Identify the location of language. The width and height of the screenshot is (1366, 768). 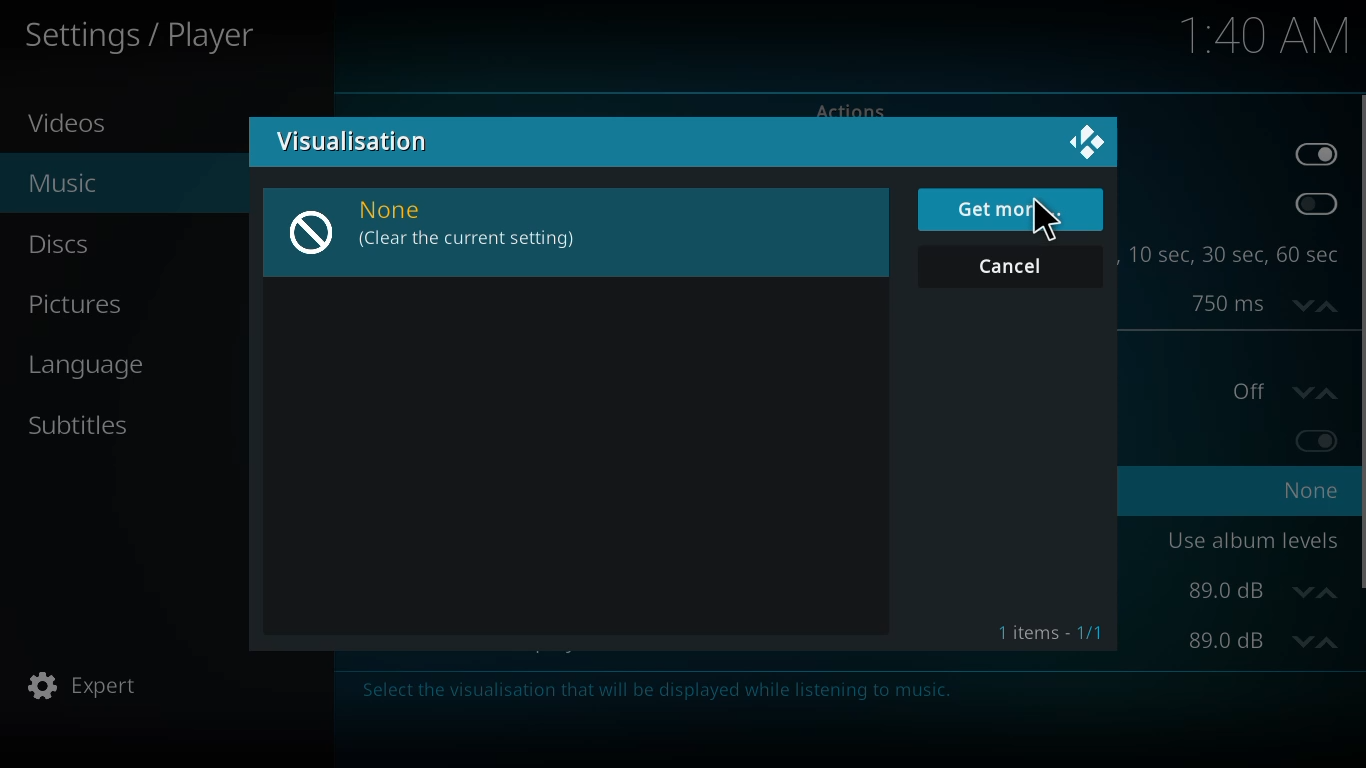
(95, 365).